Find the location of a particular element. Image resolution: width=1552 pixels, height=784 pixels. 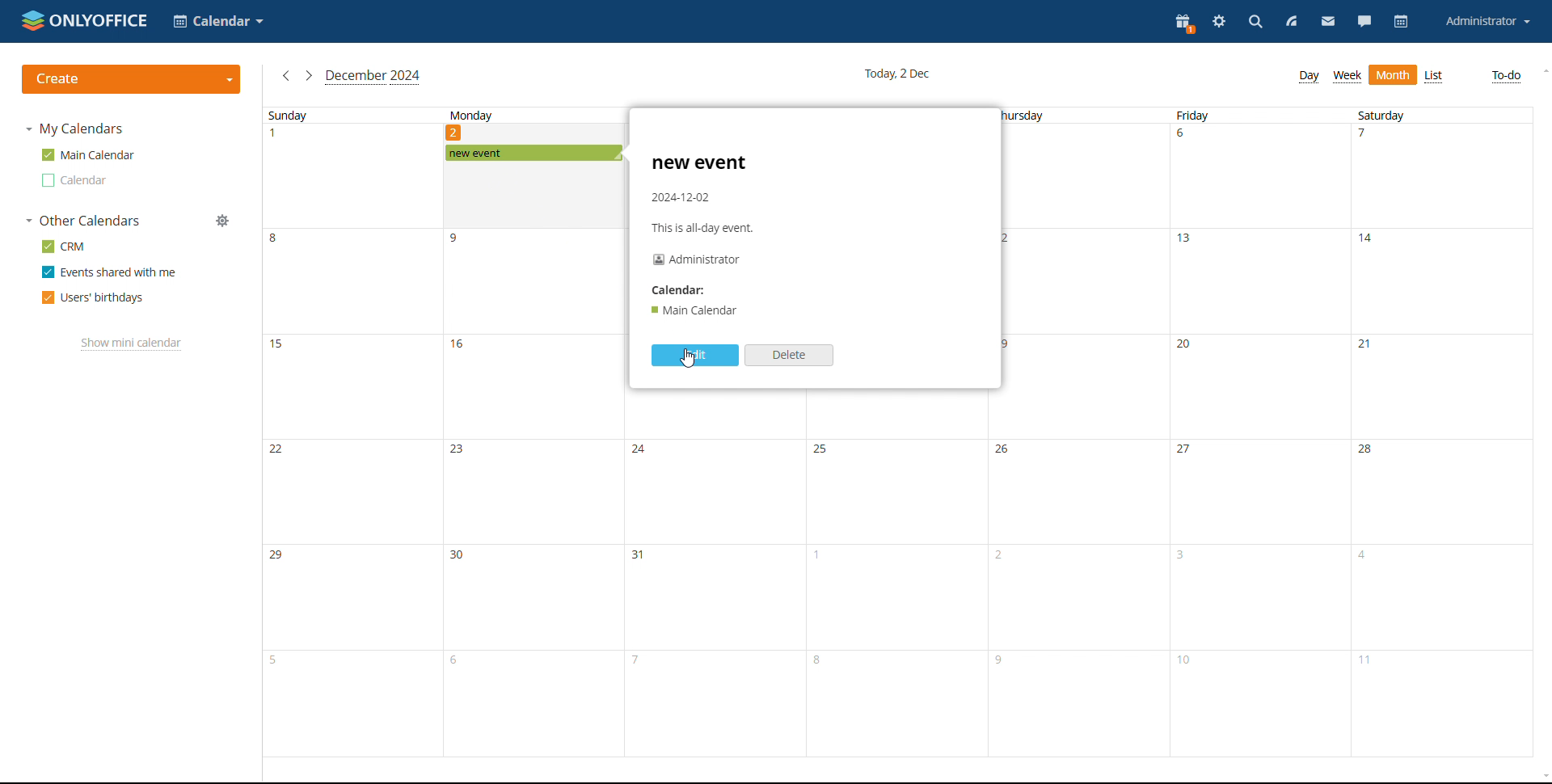

show mini calendar is located at coordinates (132, 344).